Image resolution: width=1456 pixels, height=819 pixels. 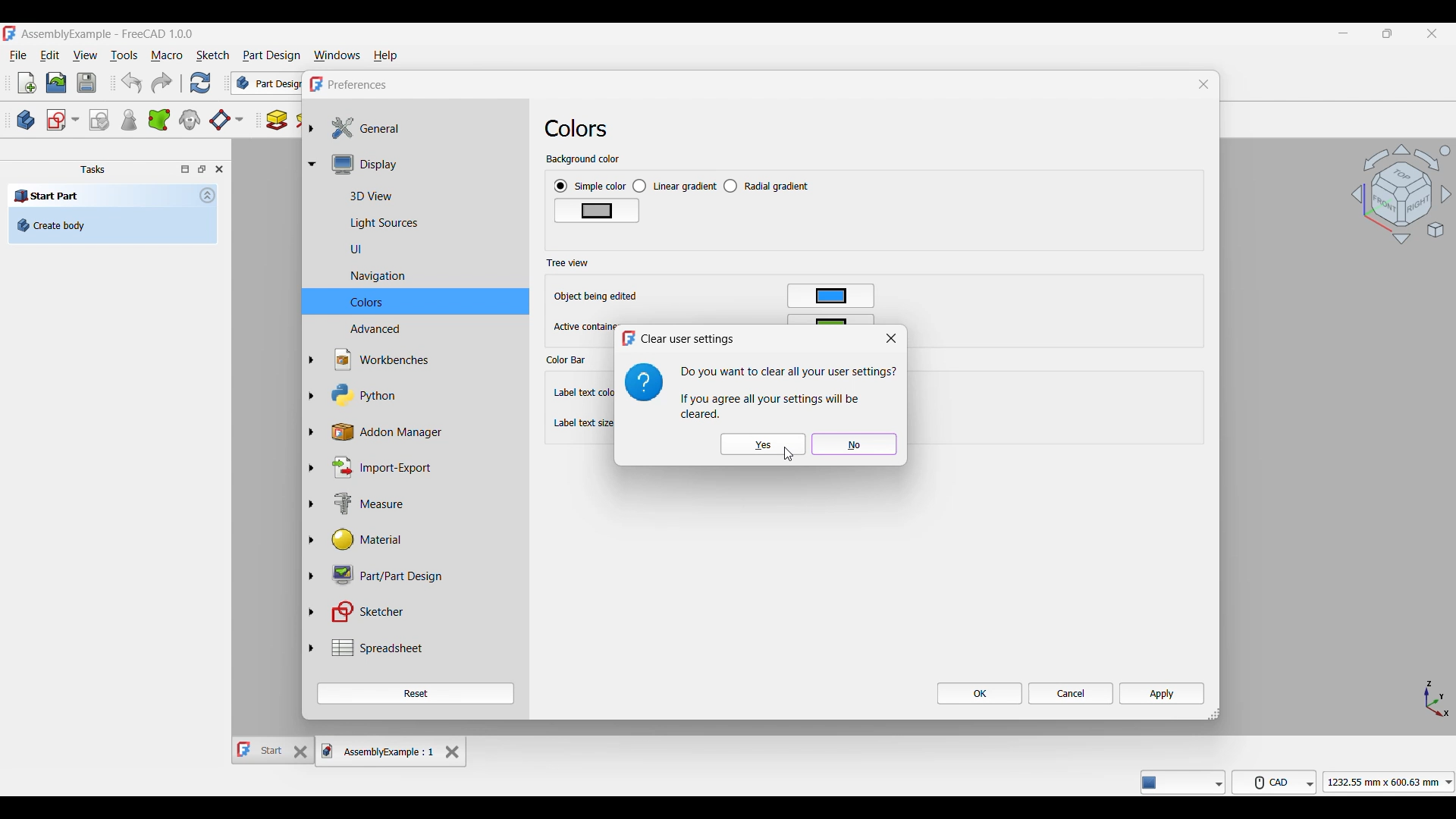 I want to click on Toggle for Simple color, so click(x=590, y=186).